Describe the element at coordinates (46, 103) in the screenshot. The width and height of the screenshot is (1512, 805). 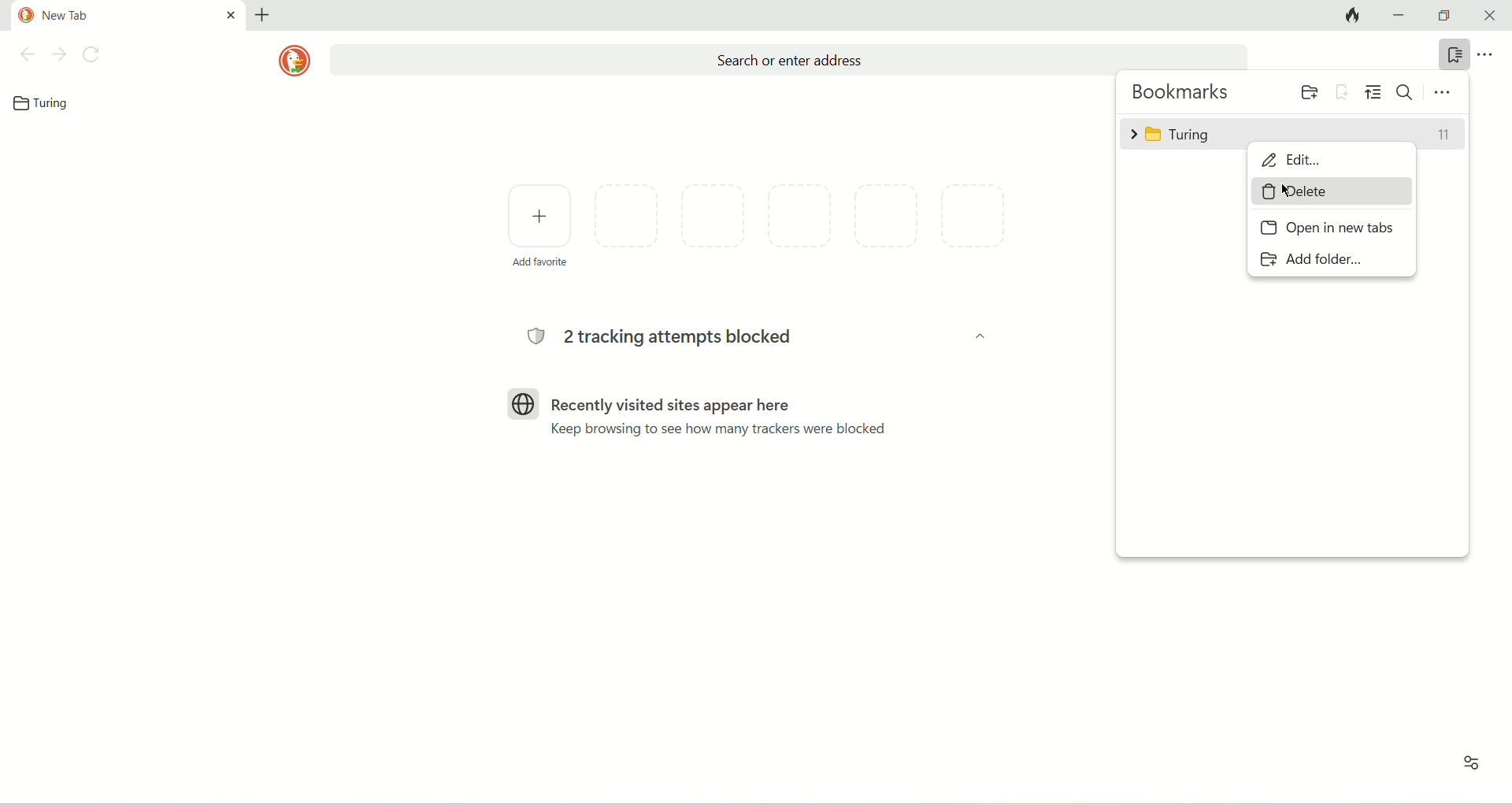
I see `bookmark` at that location.